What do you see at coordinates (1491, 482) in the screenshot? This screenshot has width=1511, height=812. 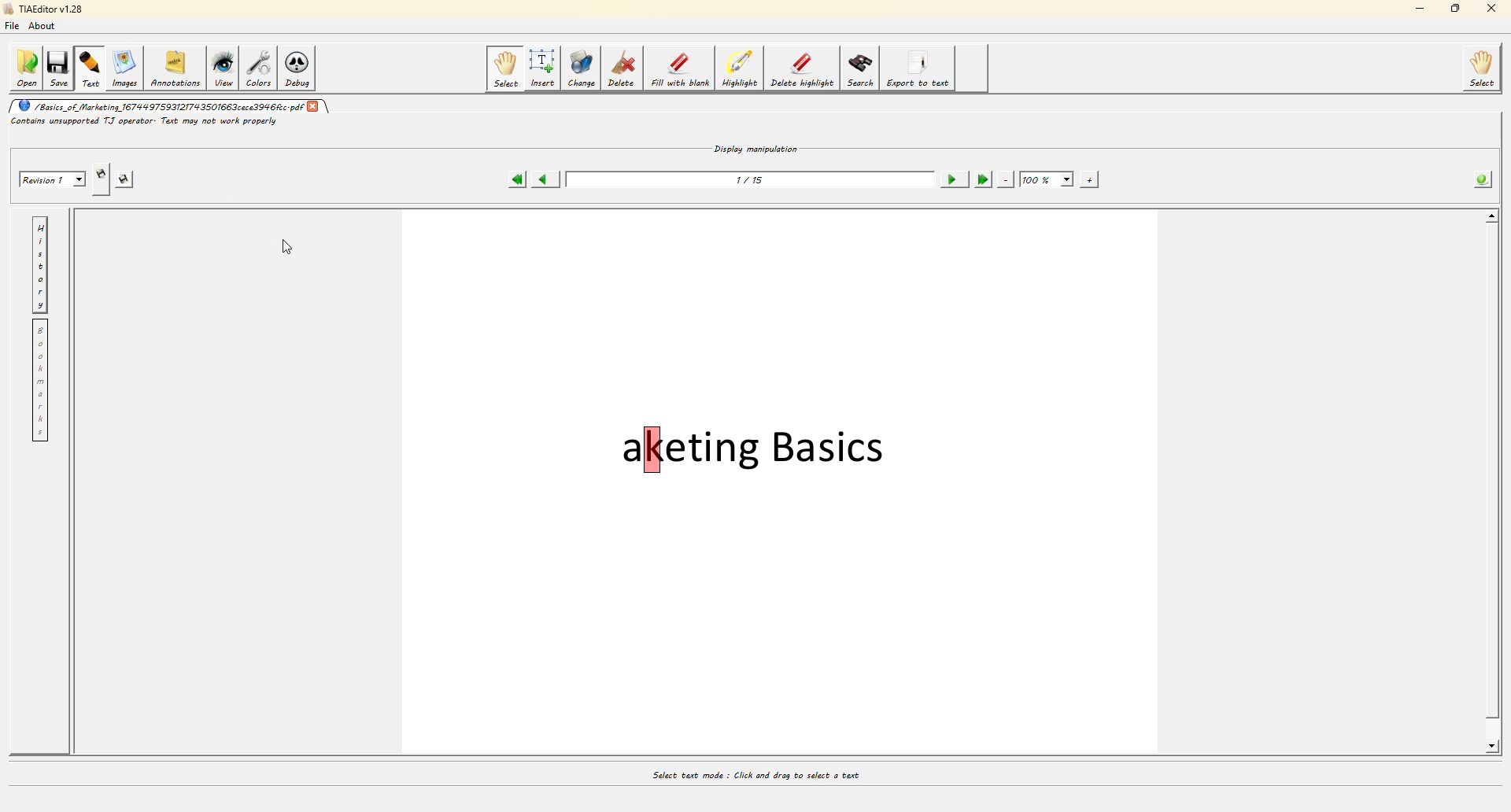 I see `scroll bar` at bounding box center [1491, 482].